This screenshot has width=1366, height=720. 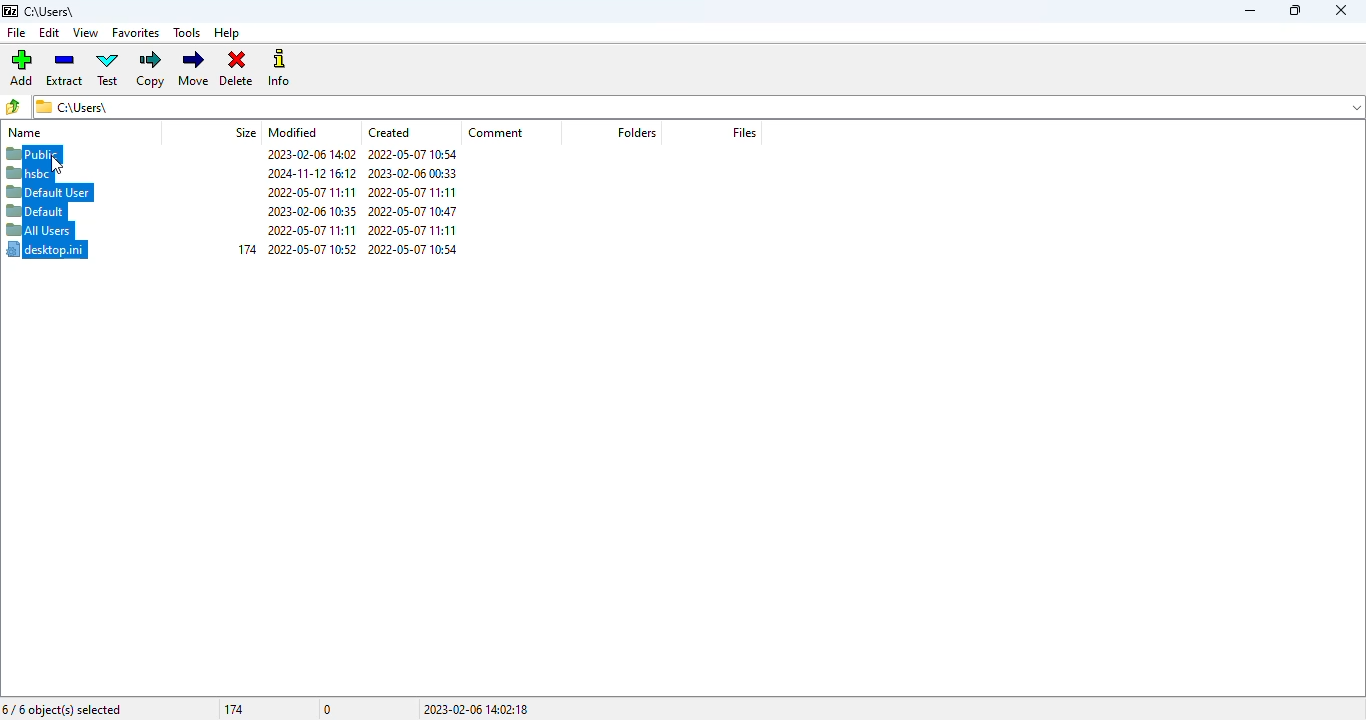 I want to click on default selected, so click(x=37, y=212).